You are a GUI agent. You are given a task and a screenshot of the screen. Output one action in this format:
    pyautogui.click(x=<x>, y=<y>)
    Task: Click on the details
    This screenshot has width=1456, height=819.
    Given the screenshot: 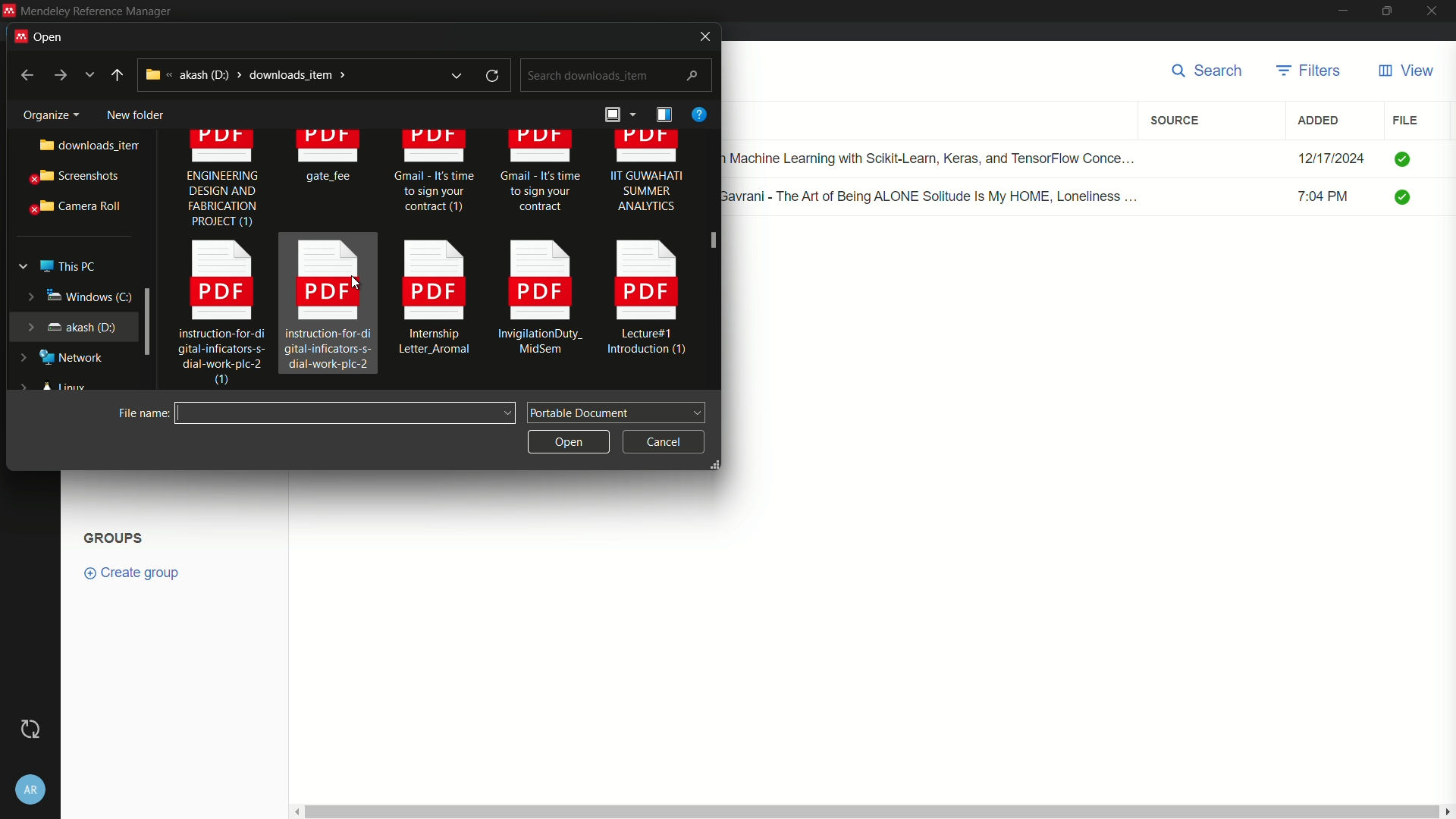 What is the action you would take?
    pyautogui.click(x=664, y=115)
    